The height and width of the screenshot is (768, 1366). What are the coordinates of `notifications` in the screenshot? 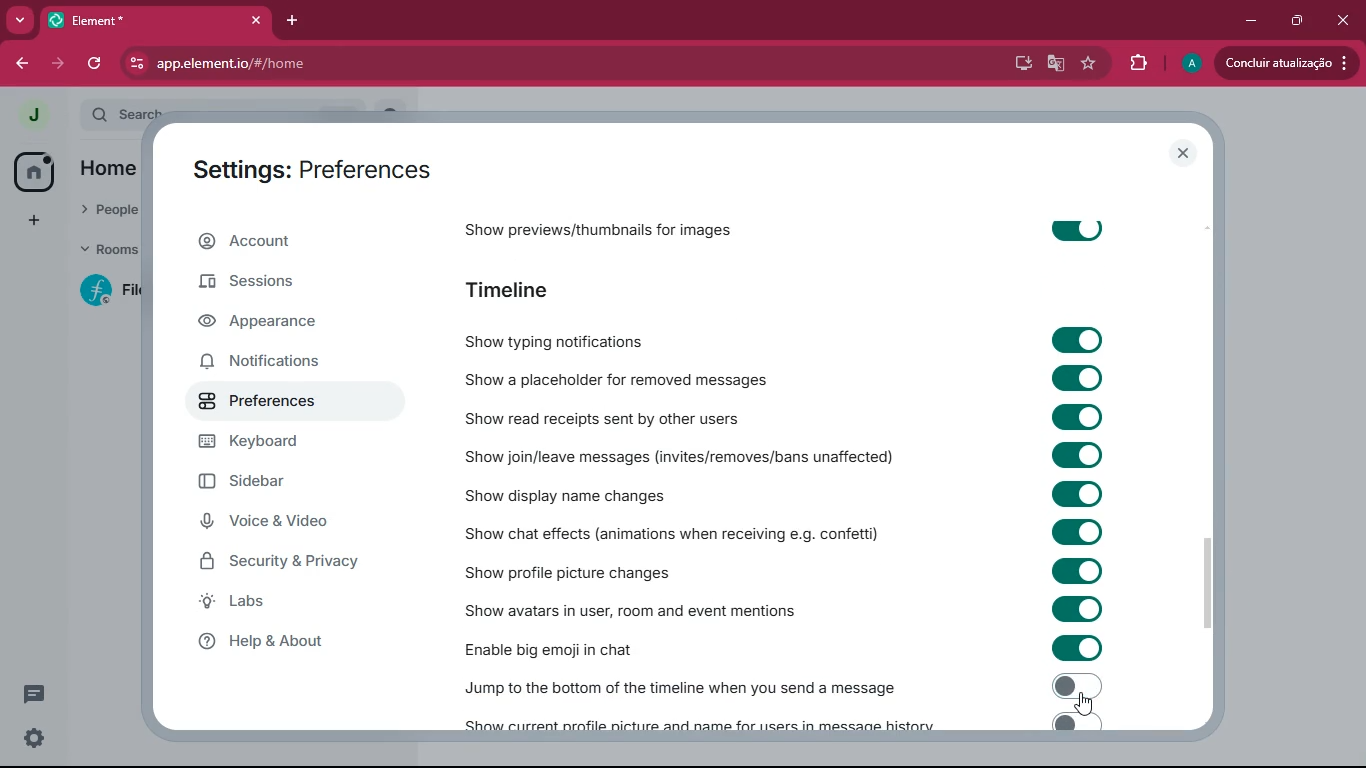 It's located at (273, 363).